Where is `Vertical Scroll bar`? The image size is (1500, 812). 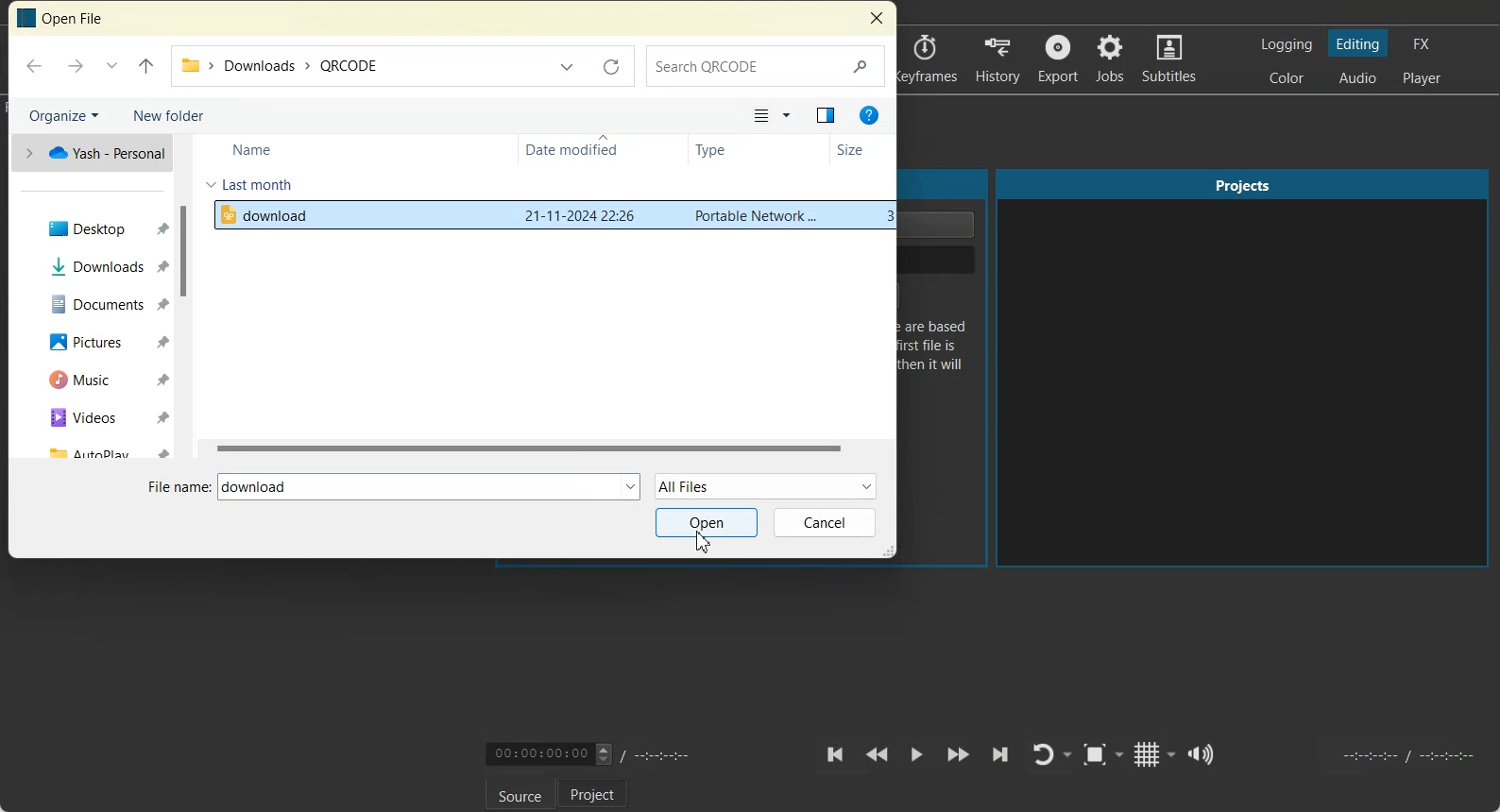
Vertical Scroll bar is located at coordinates (182, 297).